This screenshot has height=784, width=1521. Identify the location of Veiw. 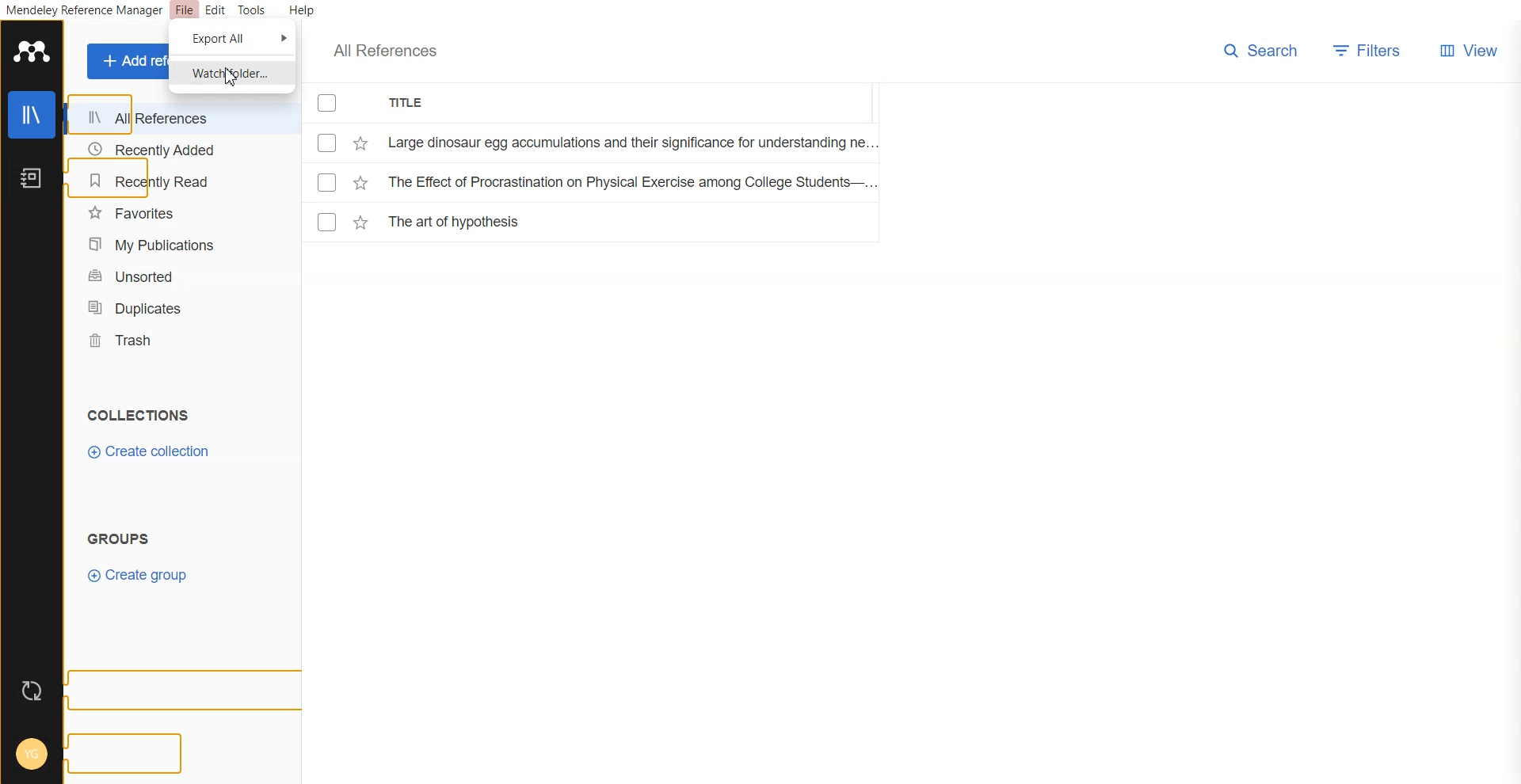
(1468, 51).